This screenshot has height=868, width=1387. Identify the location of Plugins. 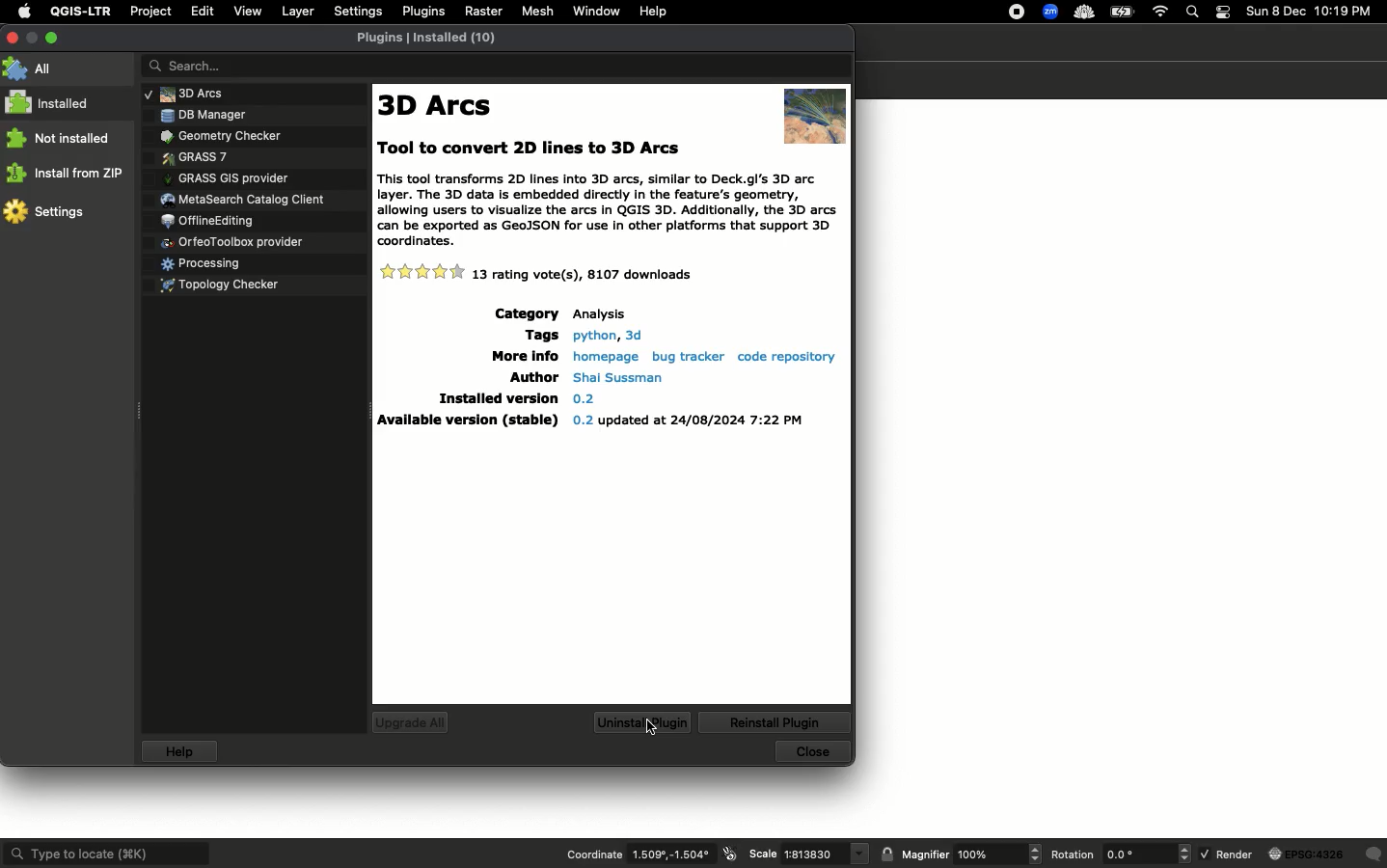
(260, 94).